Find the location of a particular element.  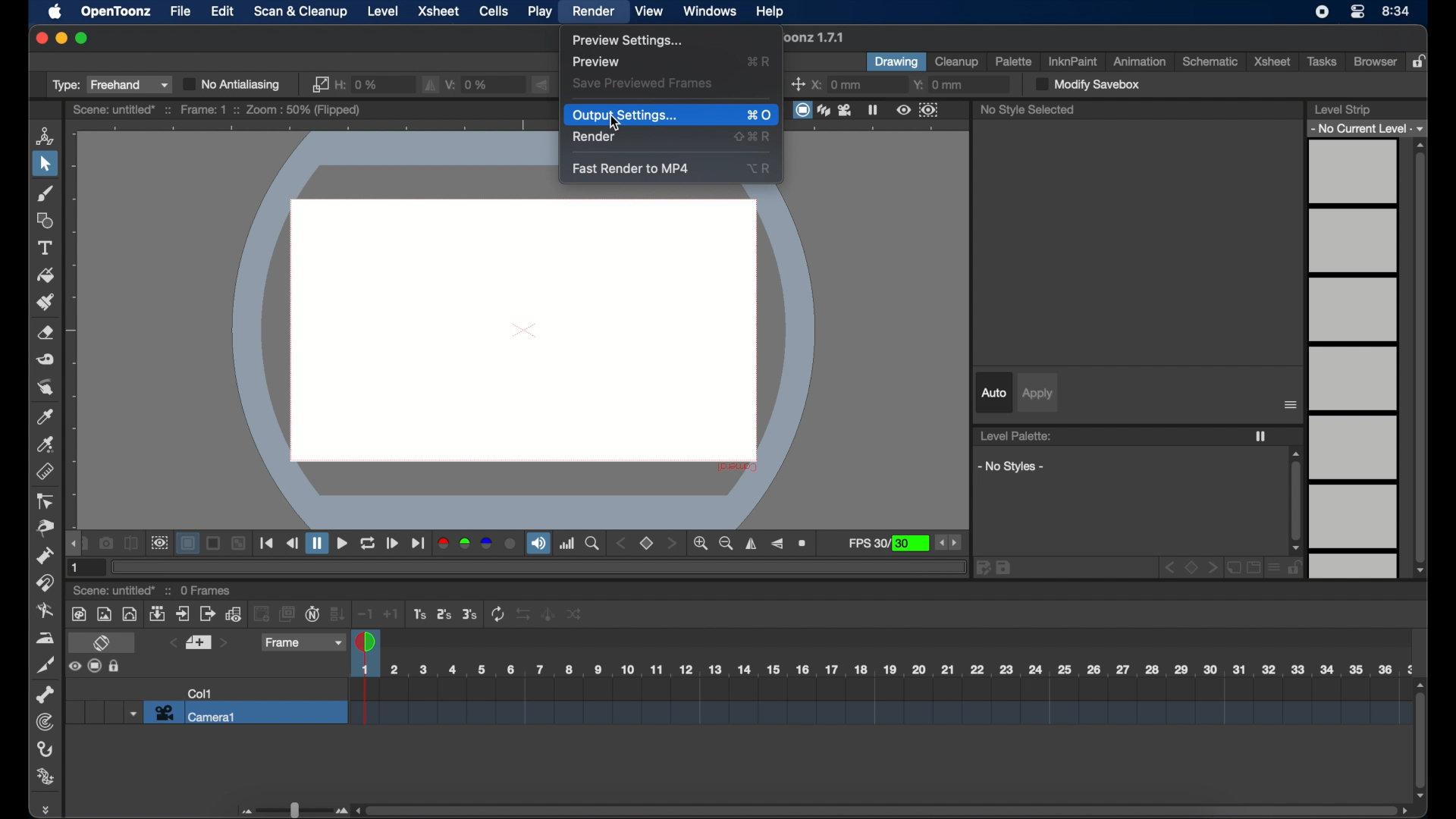

 is located at coordinates (983, 568).